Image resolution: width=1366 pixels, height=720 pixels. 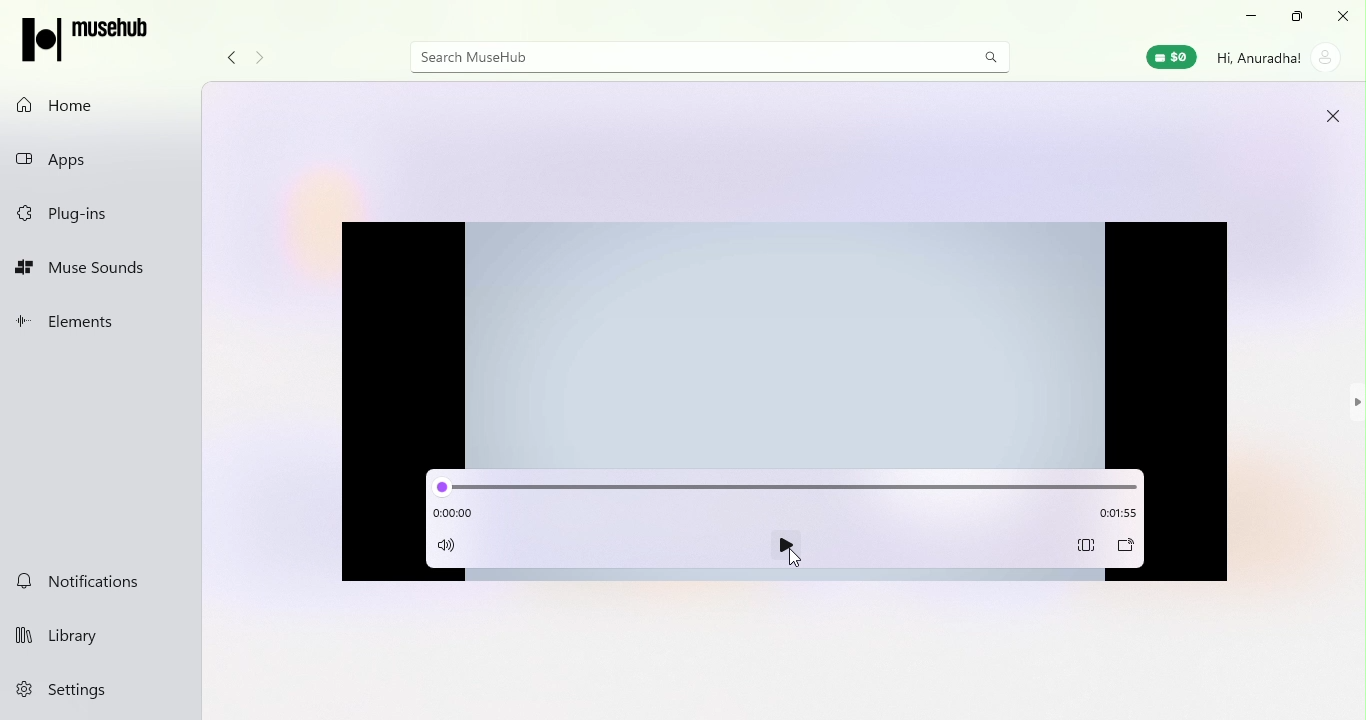 What do you see at coordinates (1344, 16) in the screenshot?
I see `close` at bounding box center [1344, 16].